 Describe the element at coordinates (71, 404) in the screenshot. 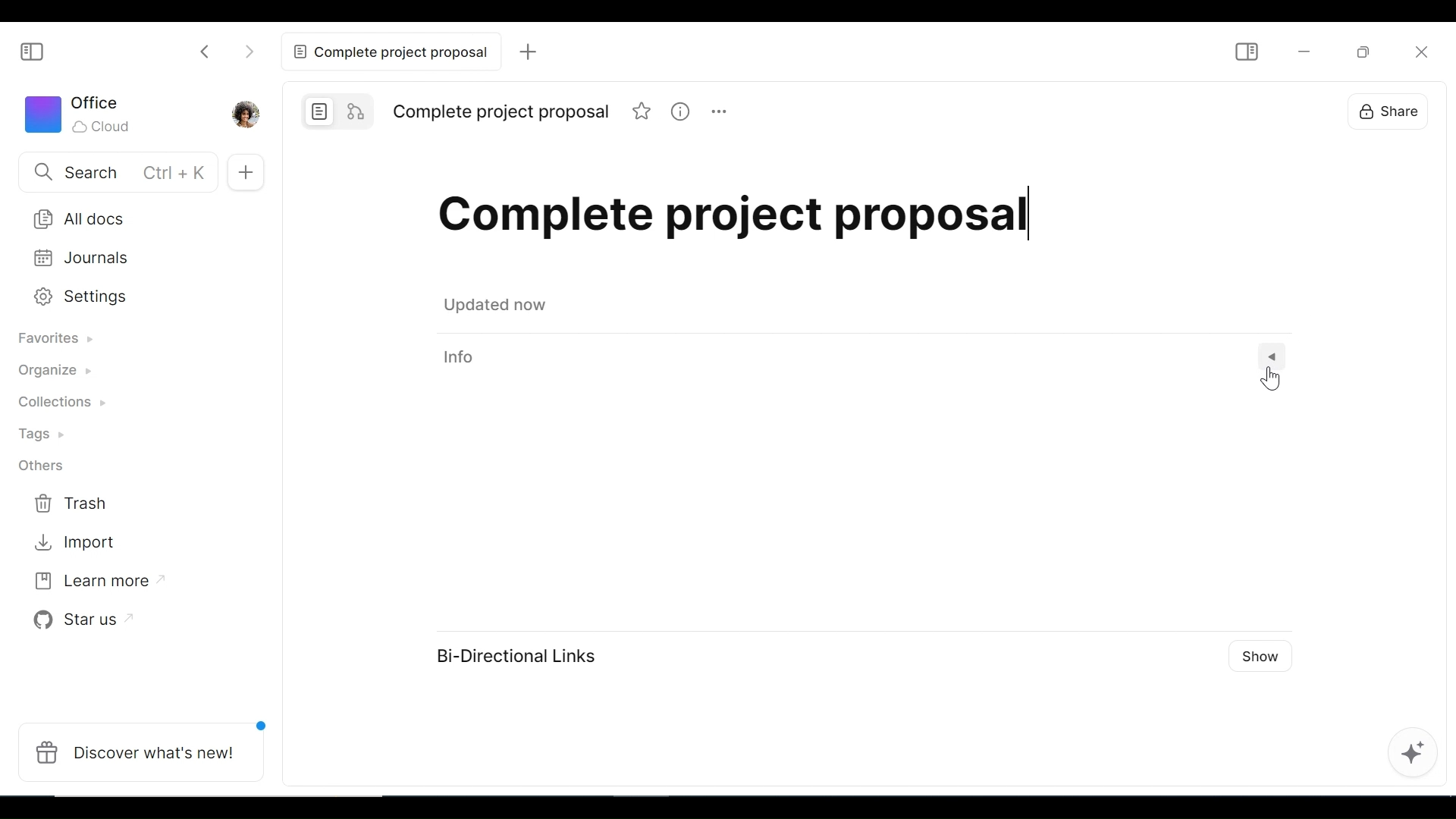

I see `Collections` at that location.